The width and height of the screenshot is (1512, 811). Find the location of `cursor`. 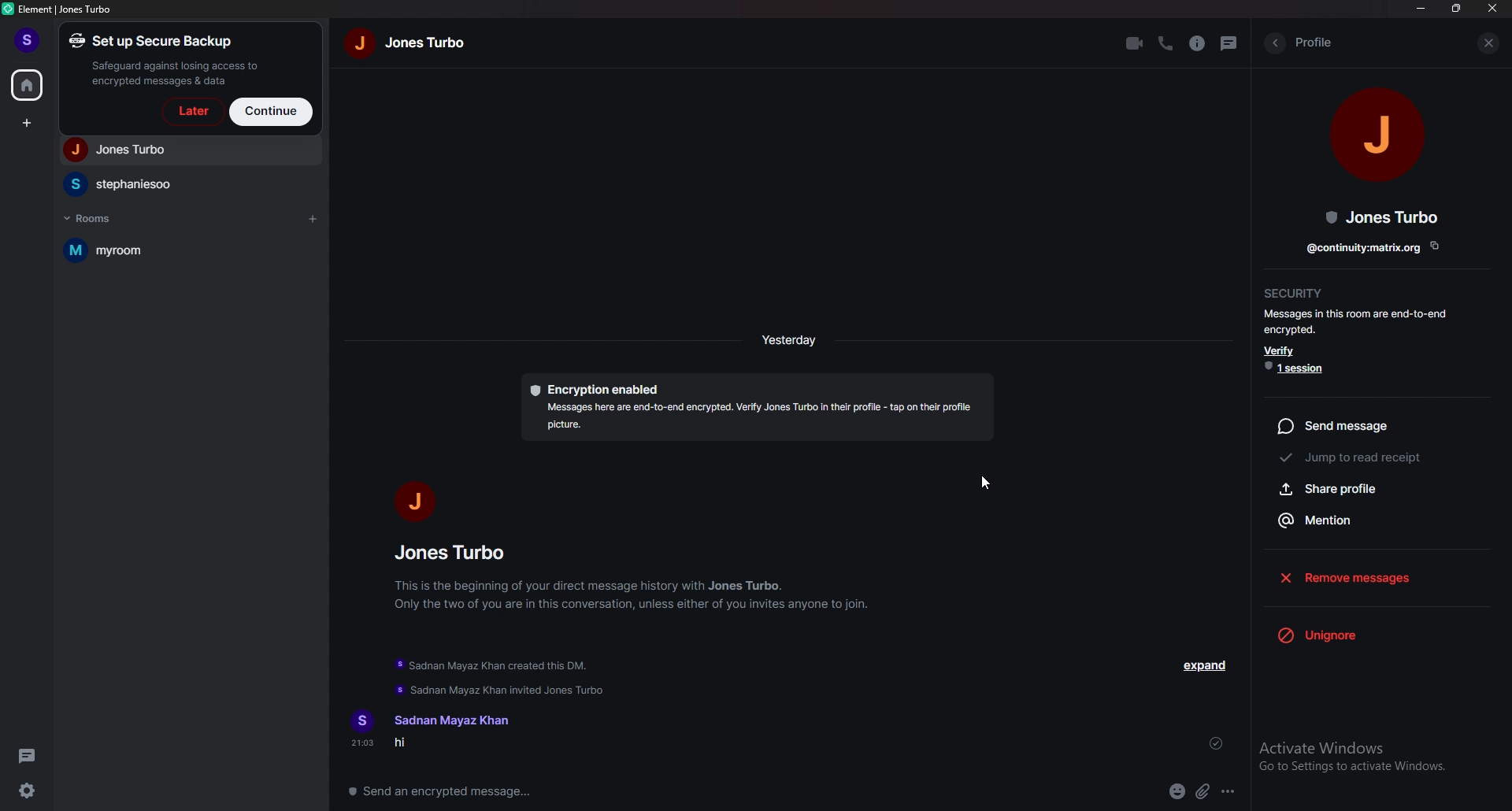

cursor is located at coordinates (986, 483).